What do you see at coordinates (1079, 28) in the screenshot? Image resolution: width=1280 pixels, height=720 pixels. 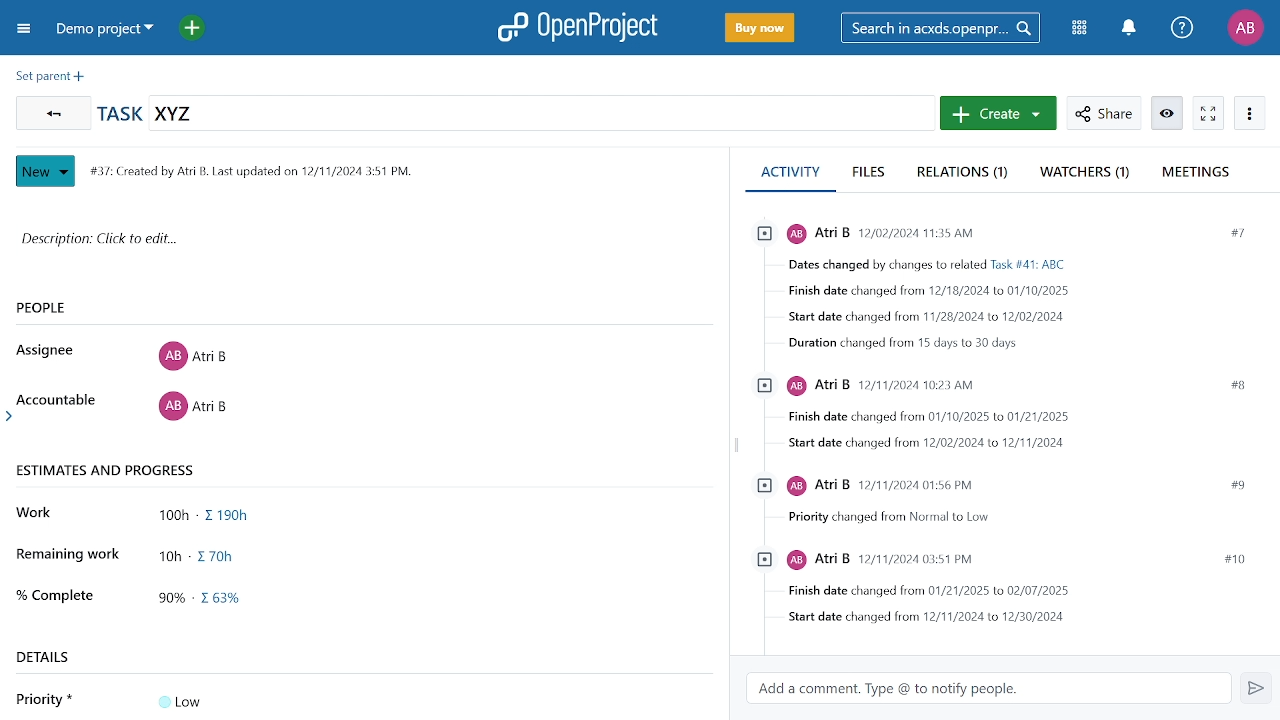 I see `Modules` at bounding box center [1079, 28].